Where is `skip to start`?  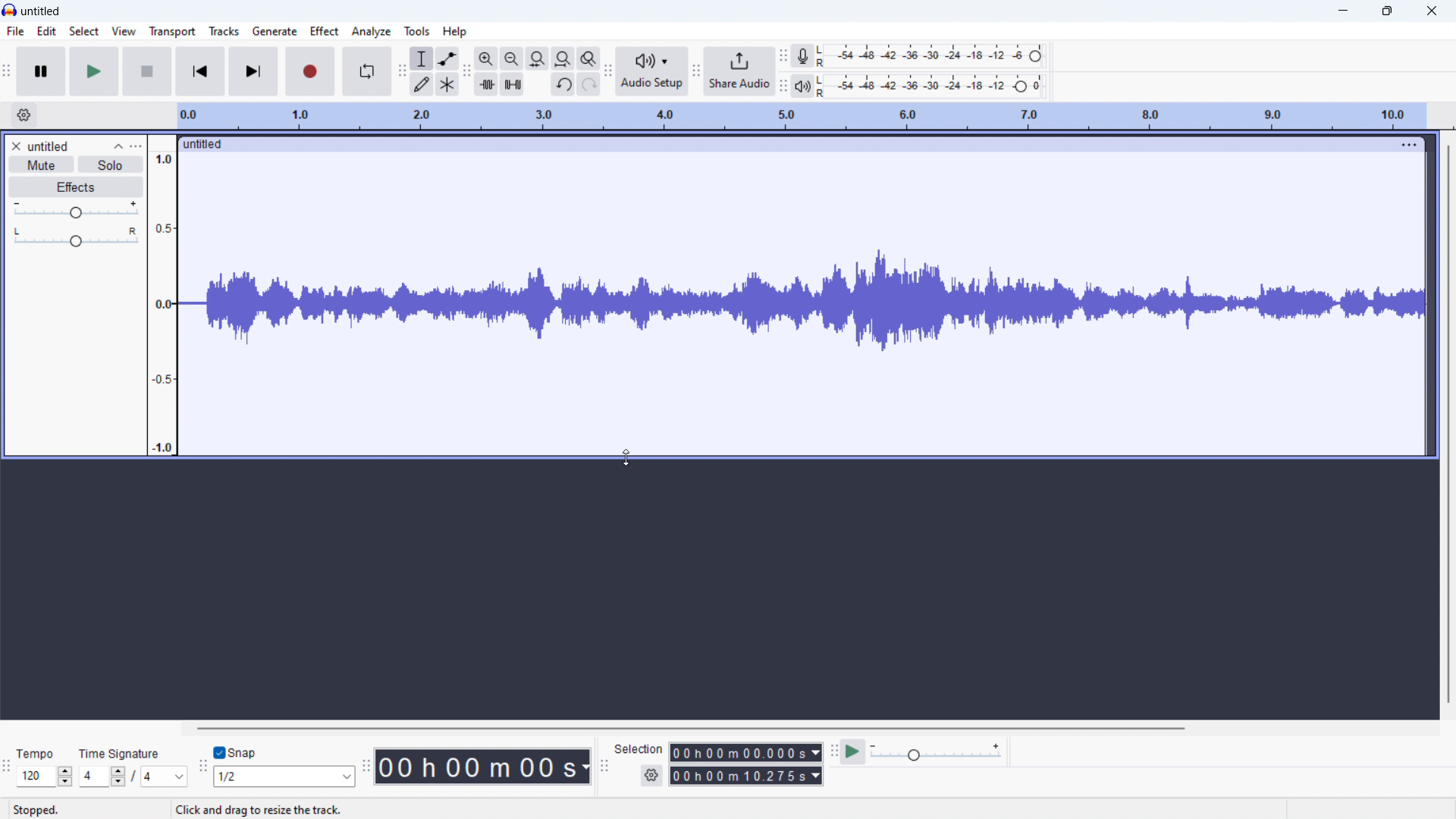 skip to start is located at coordinates (201, 71).